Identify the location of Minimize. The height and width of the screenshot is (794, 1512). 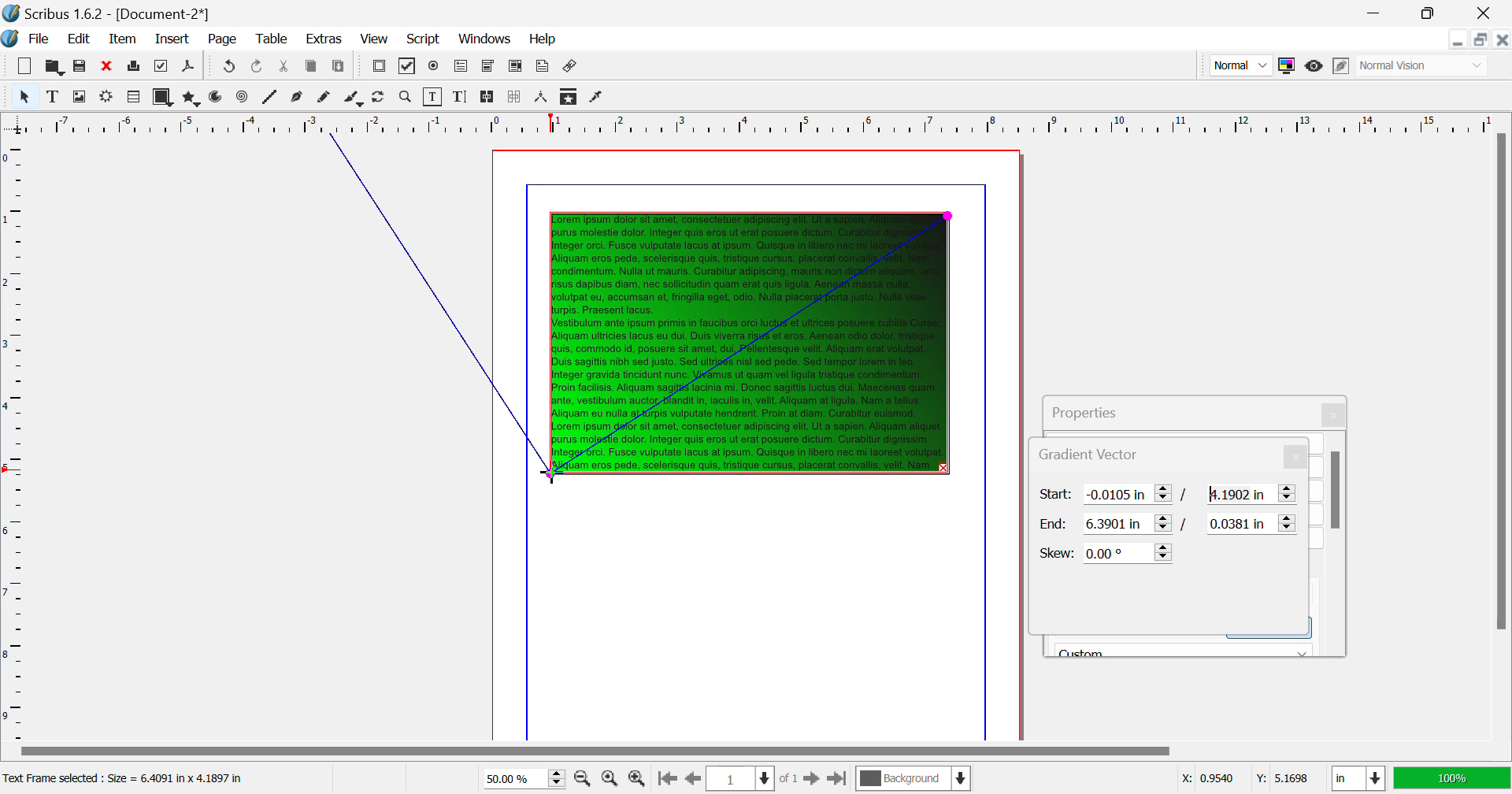
(1432, 13).